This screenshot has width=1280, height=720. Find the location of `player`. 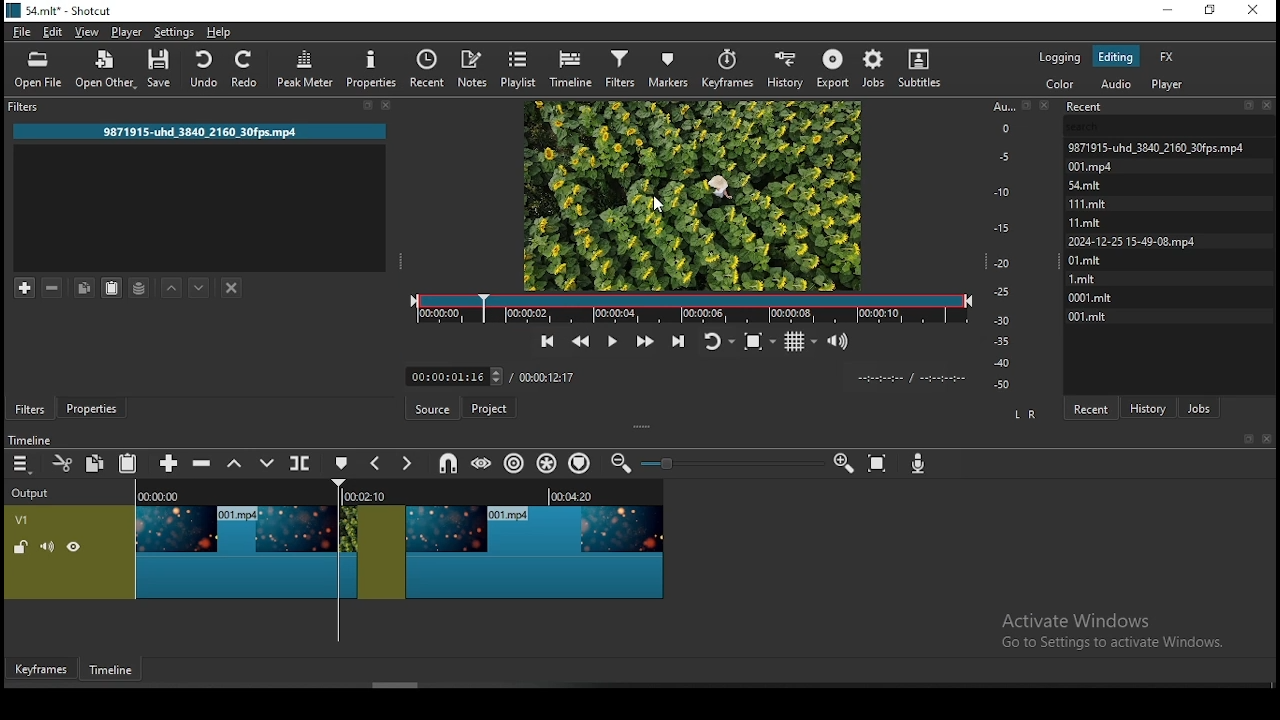

player is located at coordinates (1169, 86).